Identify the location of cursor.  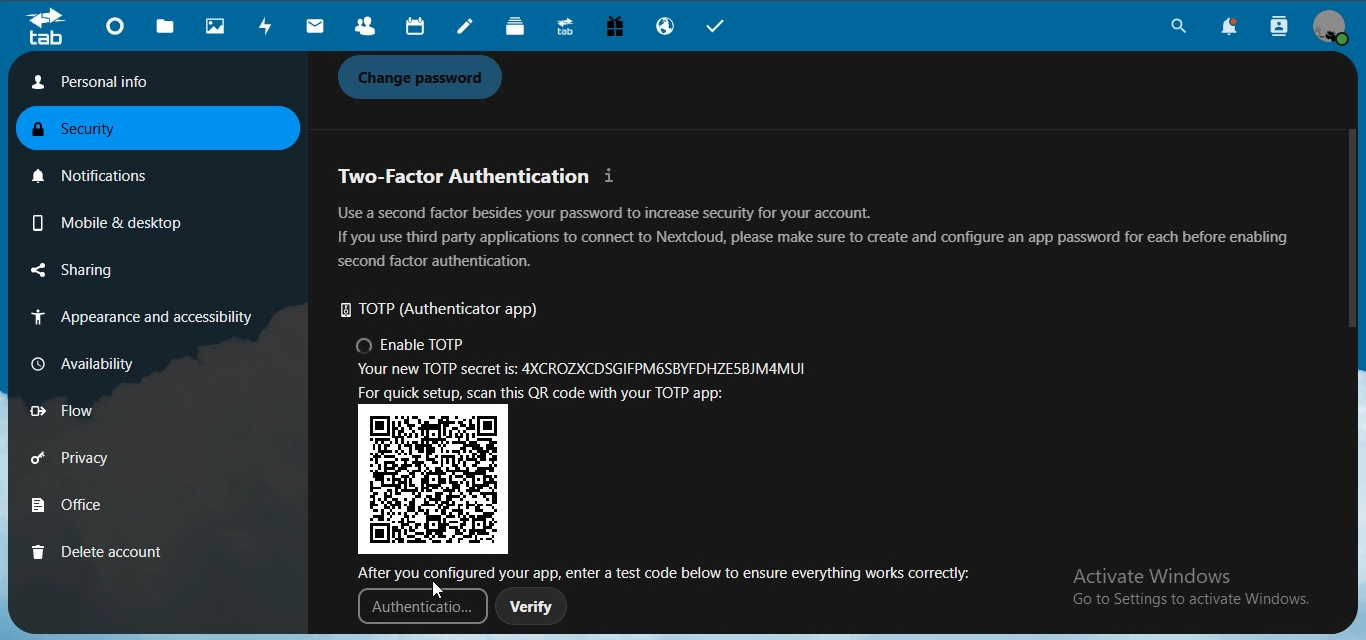
(439, 590).